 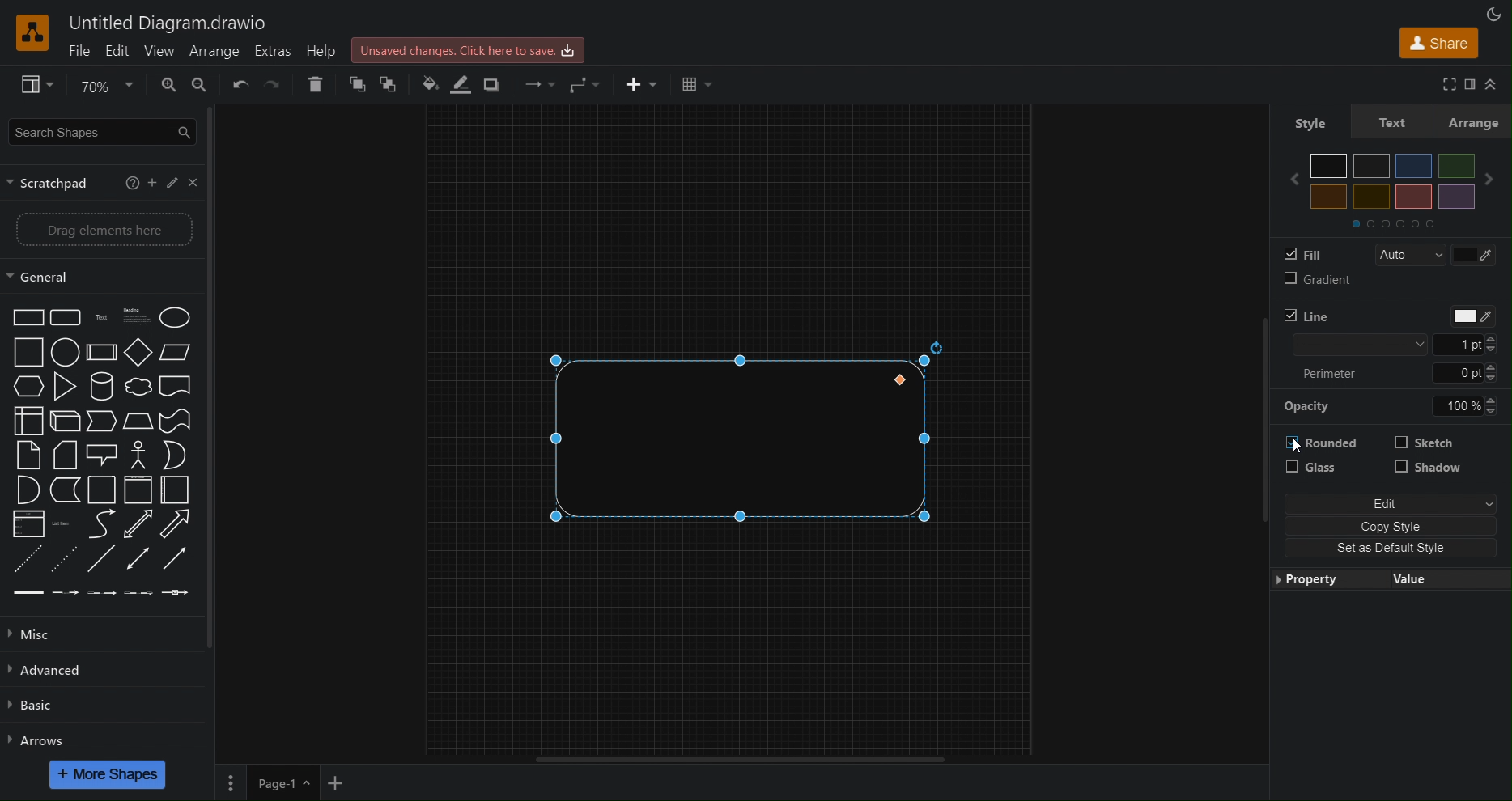 What do you see at coordinates (1406, 255) in the screenshot?
I see `Auto` at bounding box center [1406, 255].